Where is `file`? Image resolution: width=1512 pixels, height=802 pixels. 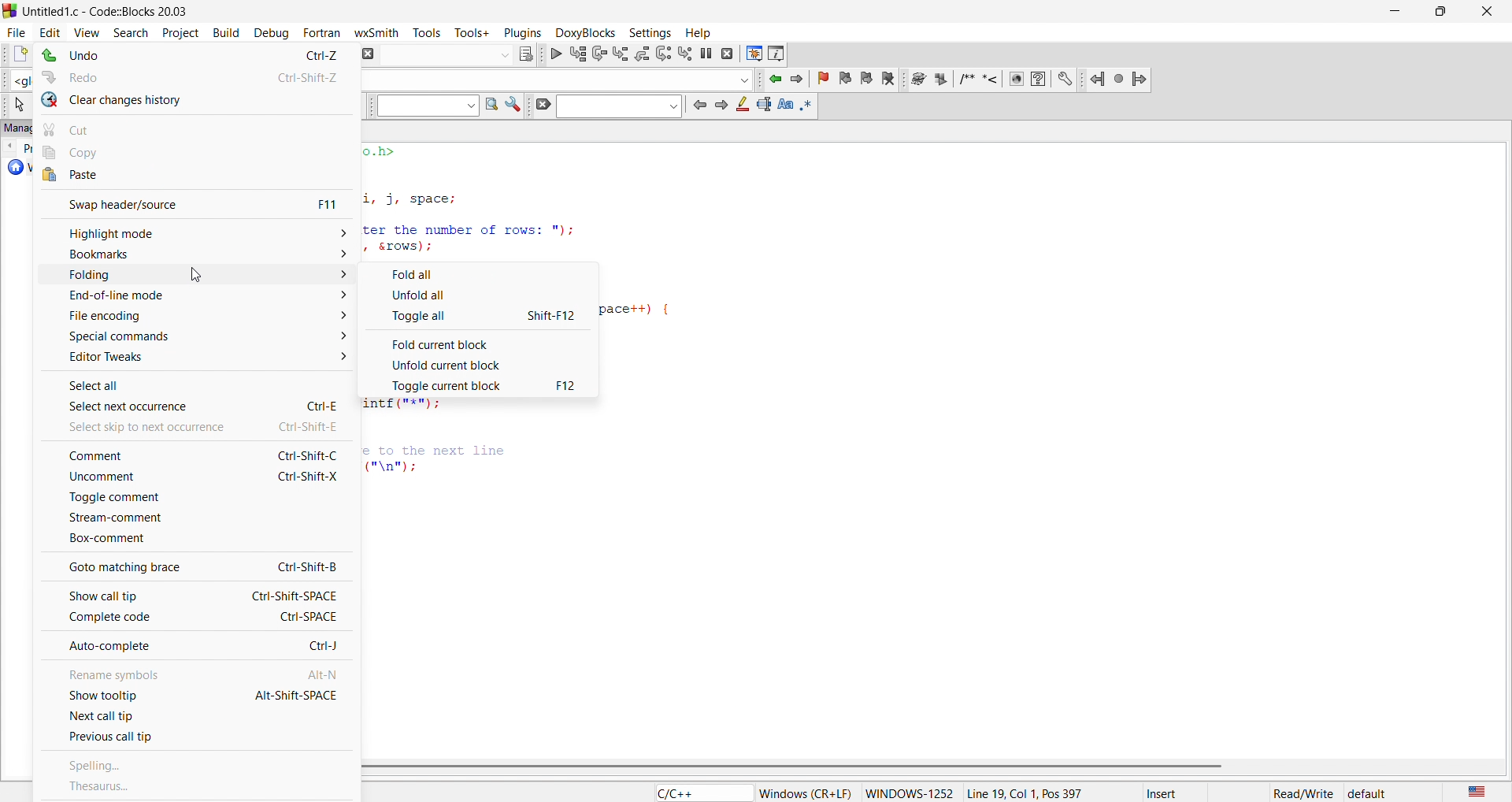 file is located at coordinates (14, 30).